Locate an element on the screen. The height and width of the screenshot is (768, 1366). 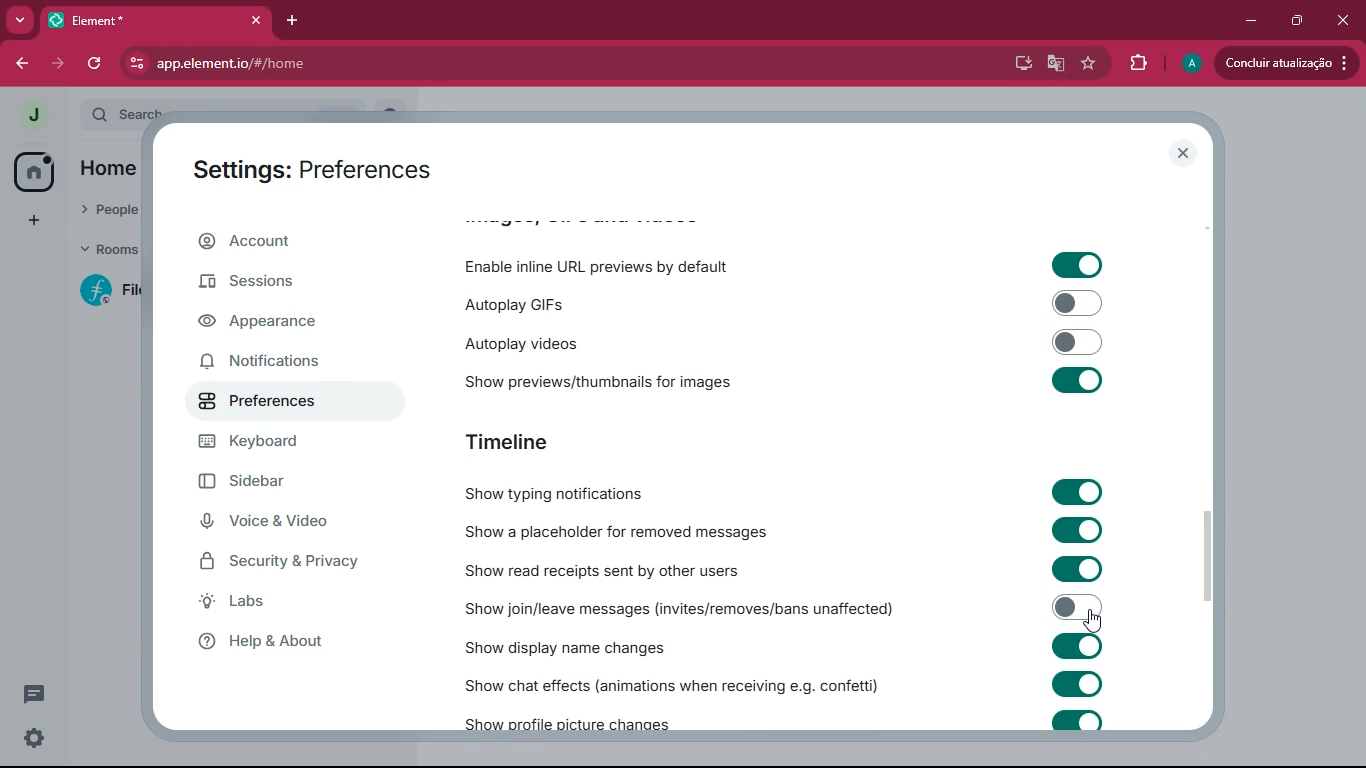
toggle on/off is located at coordinates (1079, 380).